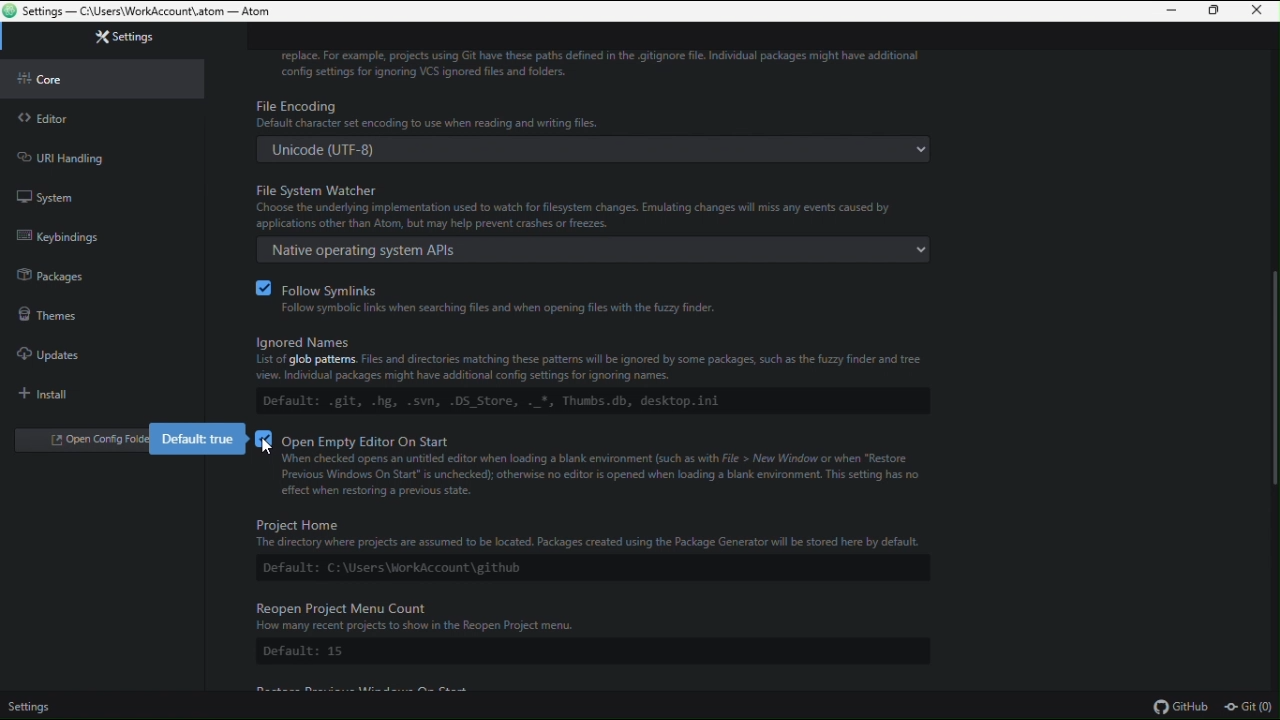  What do you see at coordinates (592, 569) in the screenshot?
I see `defailt` at bounding box center [592, 569].